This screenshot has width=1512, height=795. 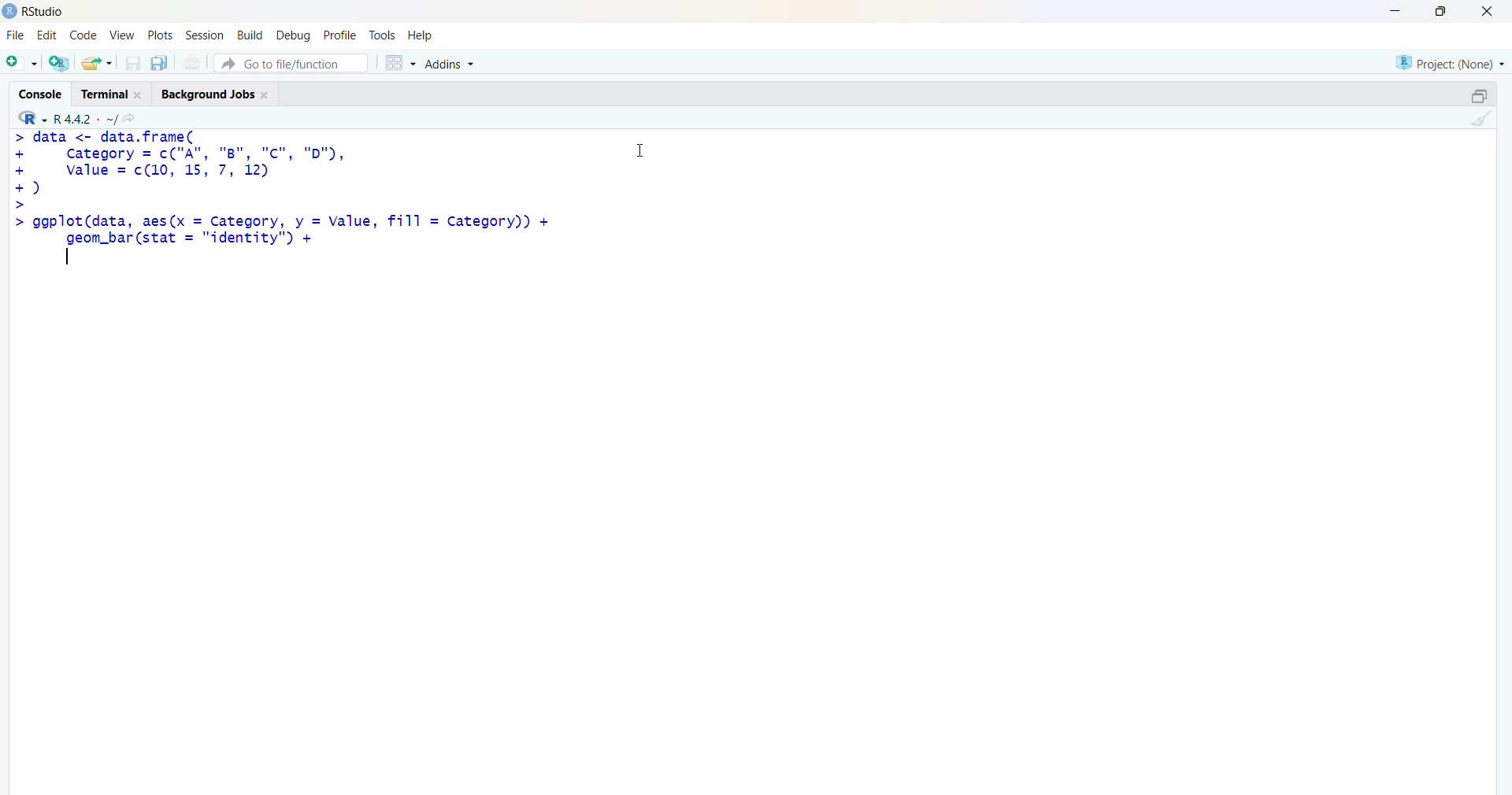 What do you see at coordinates (132, 63) in the screenshot?
I see `save current document` at bounding box center [132, 63].